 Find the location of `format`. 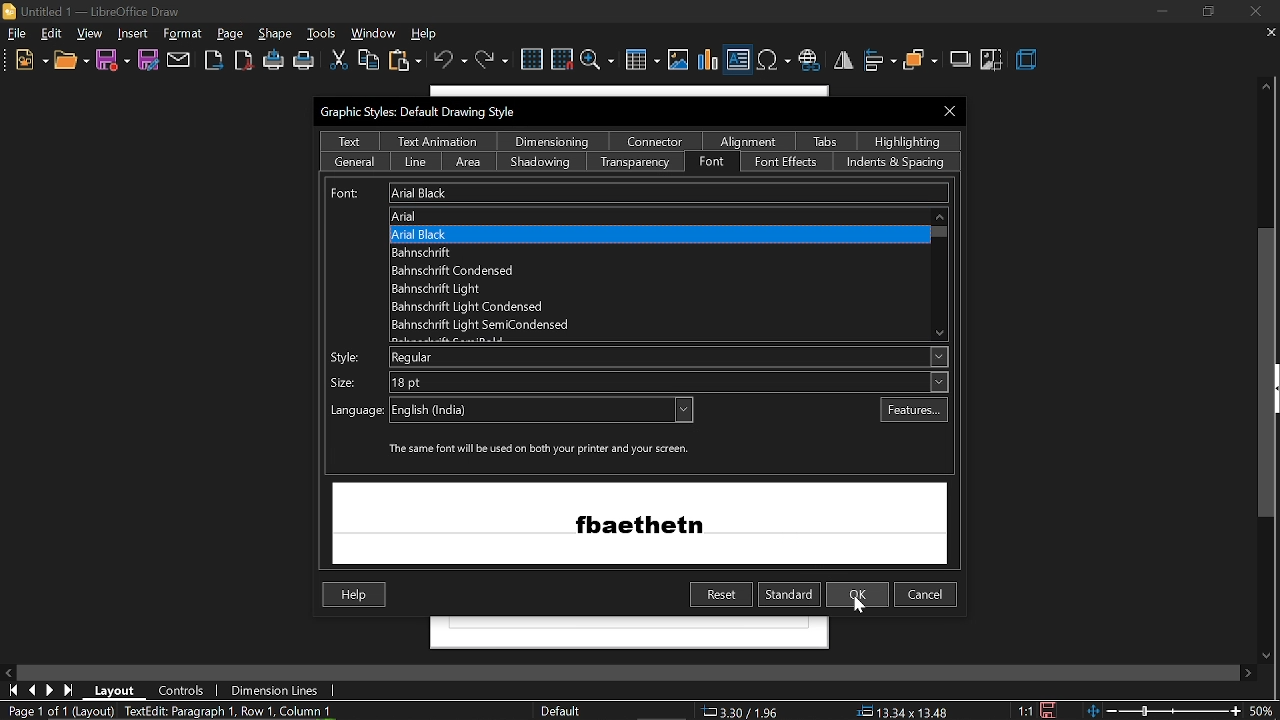

format is located at coordinates (231, 34).